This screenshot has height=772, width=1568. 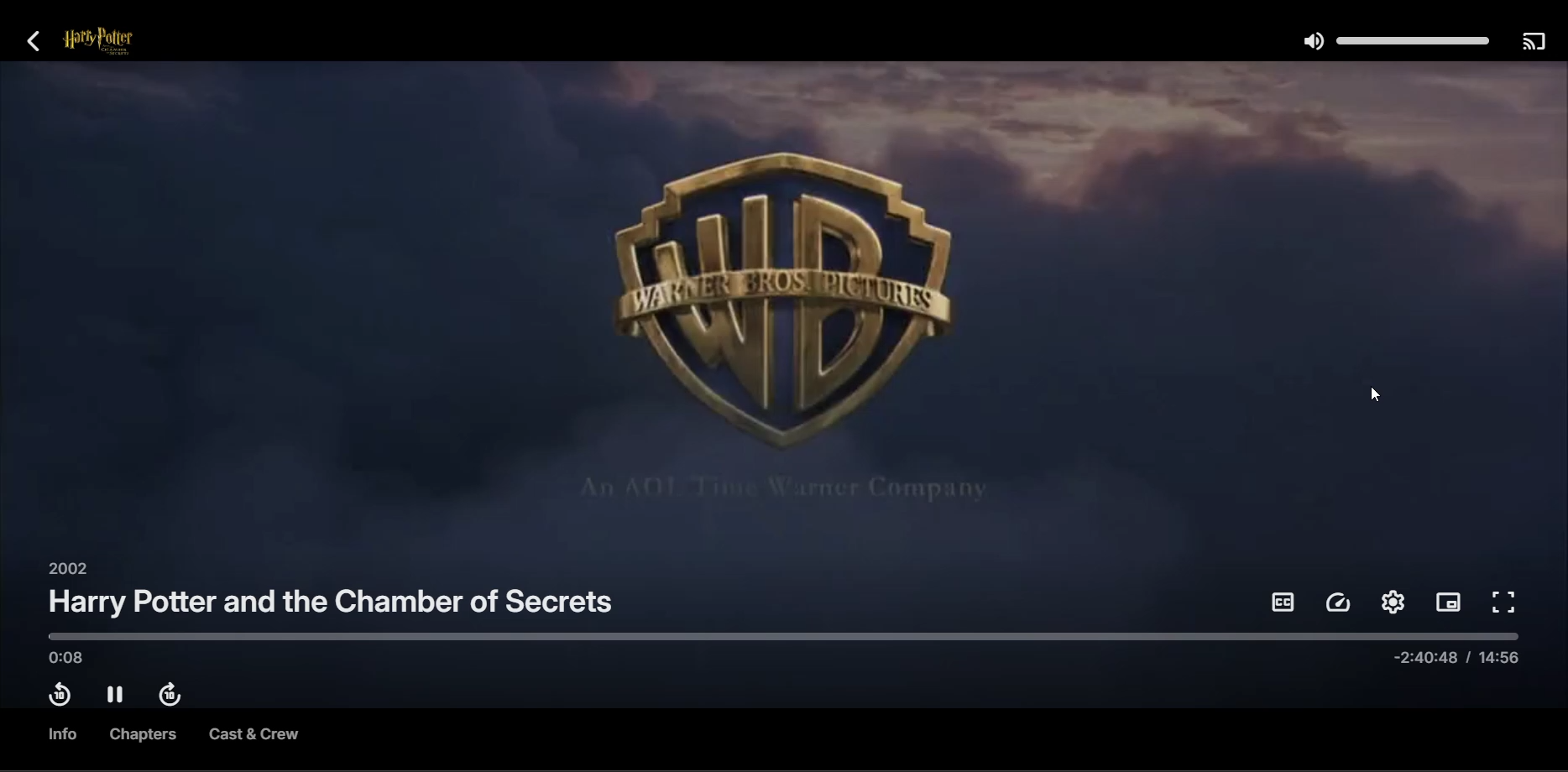 I want to click on Settings, so click(x=1396, y=602).